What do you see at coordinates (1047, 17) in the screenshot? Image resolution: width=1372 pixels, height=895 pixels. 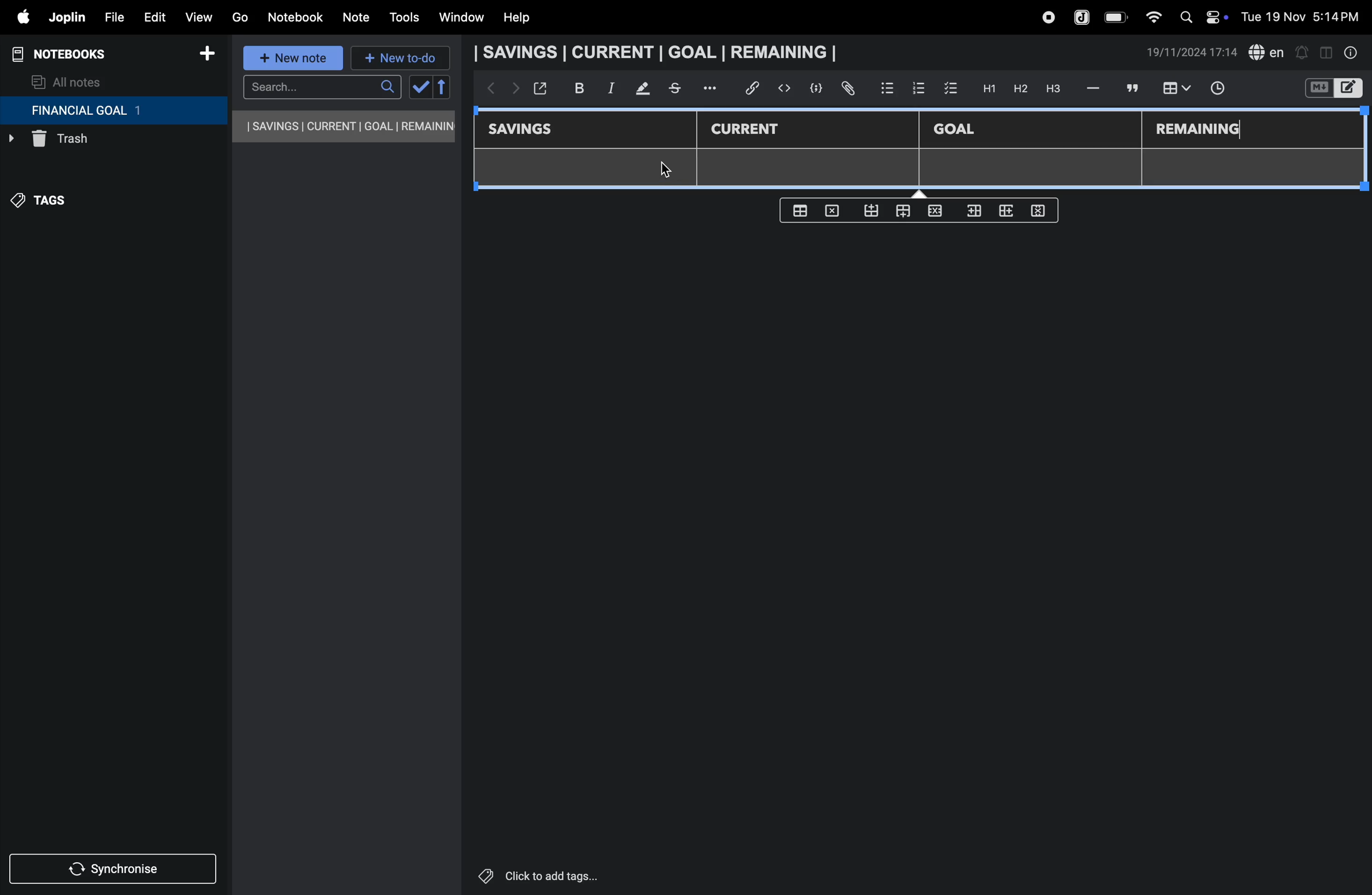 I see `record` at bounding box center [1047, 17].